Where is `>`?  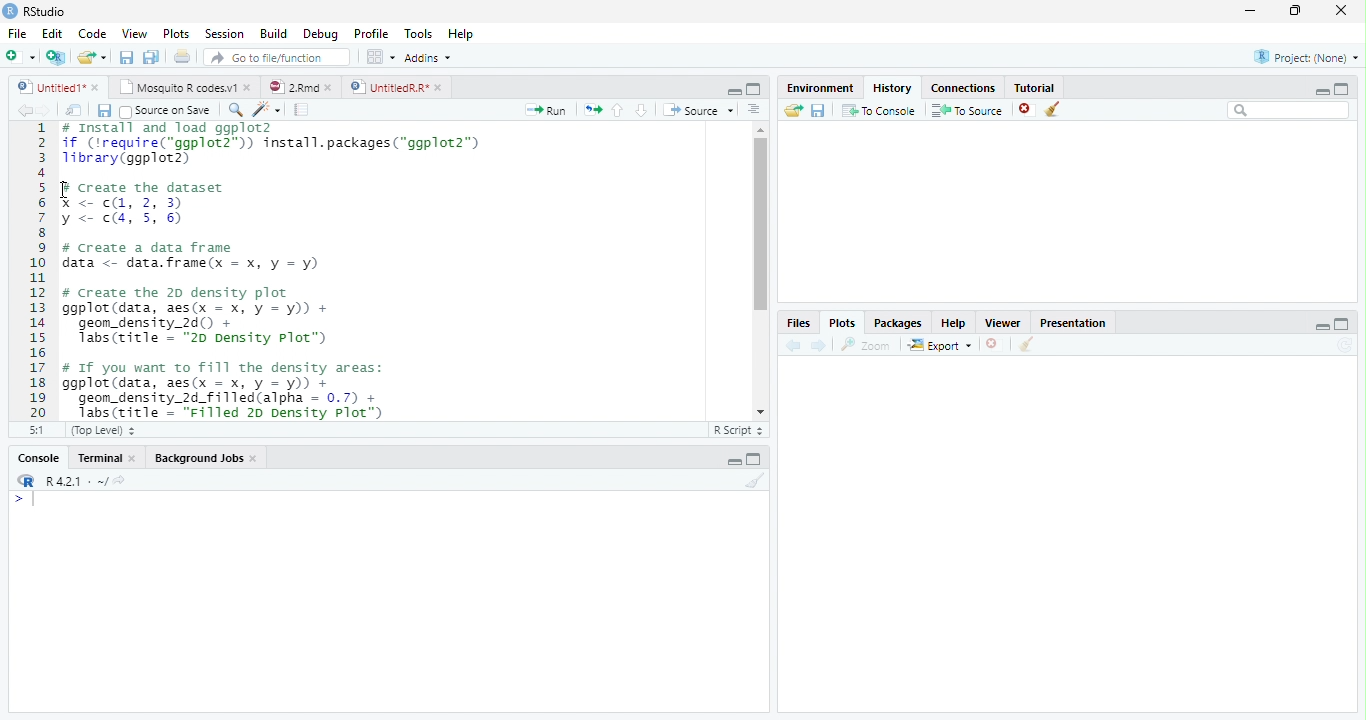
> is located at coordinates (24, 500).